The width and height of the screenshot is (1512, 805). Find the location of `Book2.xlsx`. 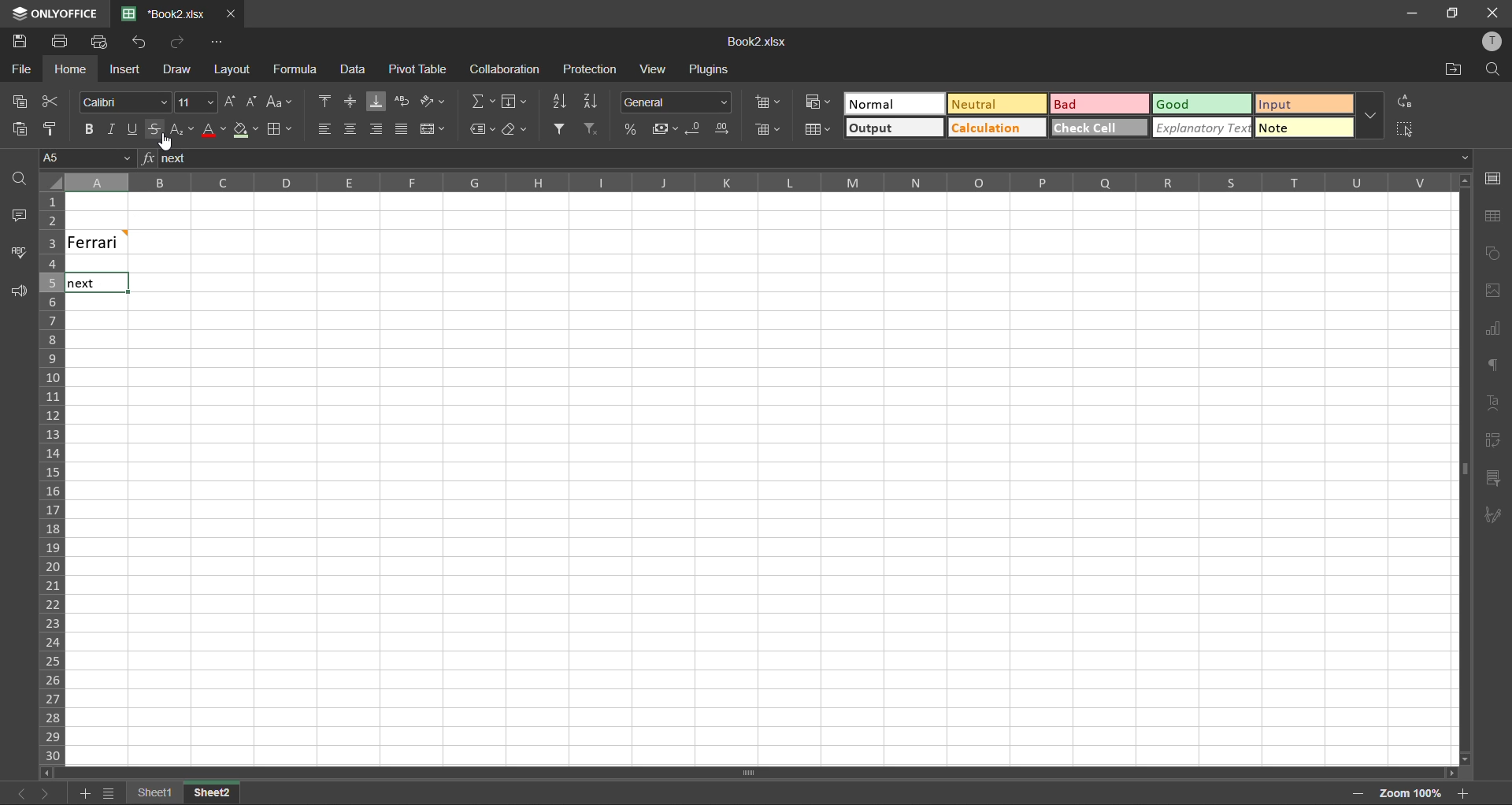

Book2.xlsx is located at coordinates (762, 40).